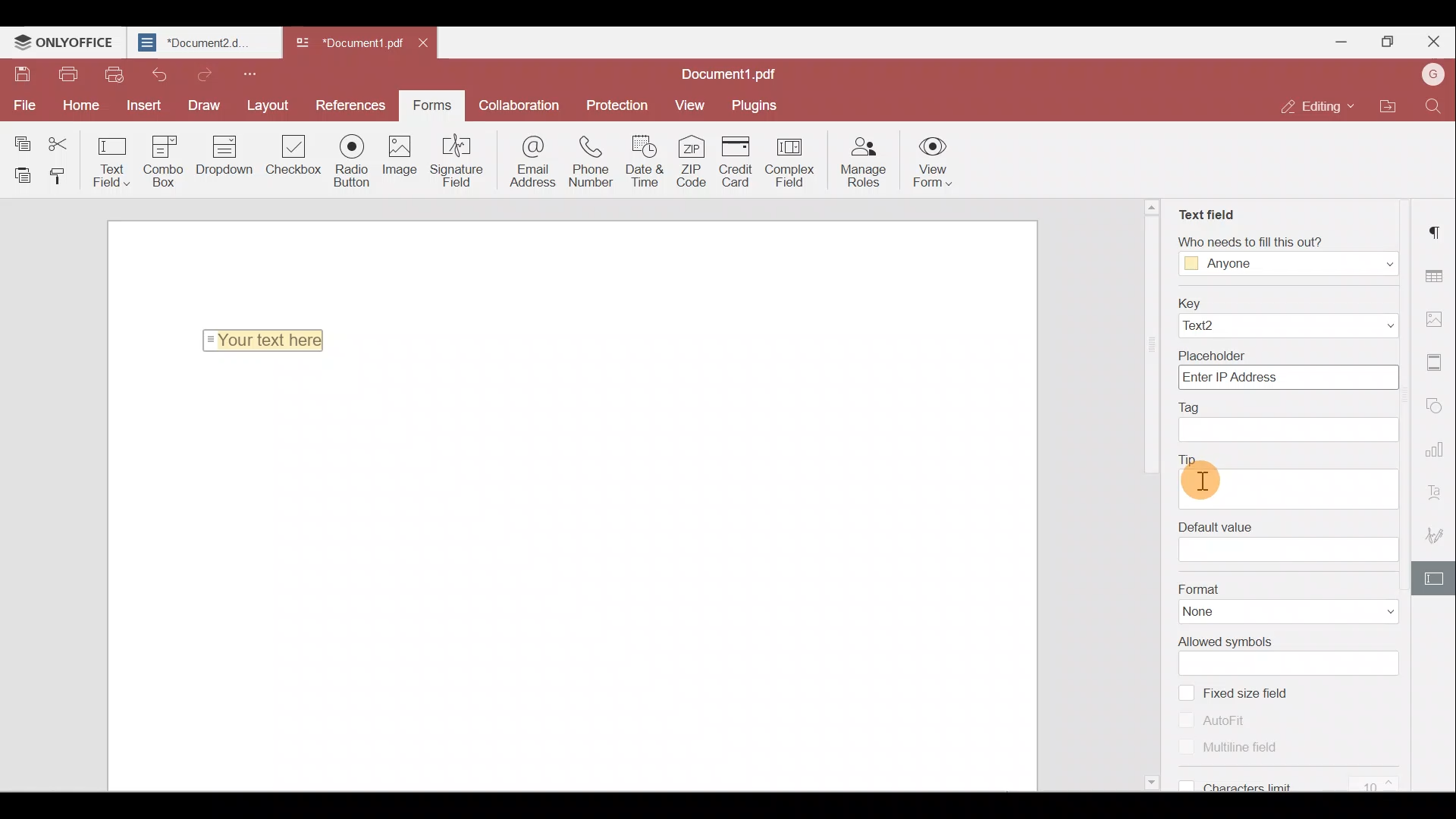  Describe the element at coordinates (204, 74) in the screenshot. I see `Redo` at that location.